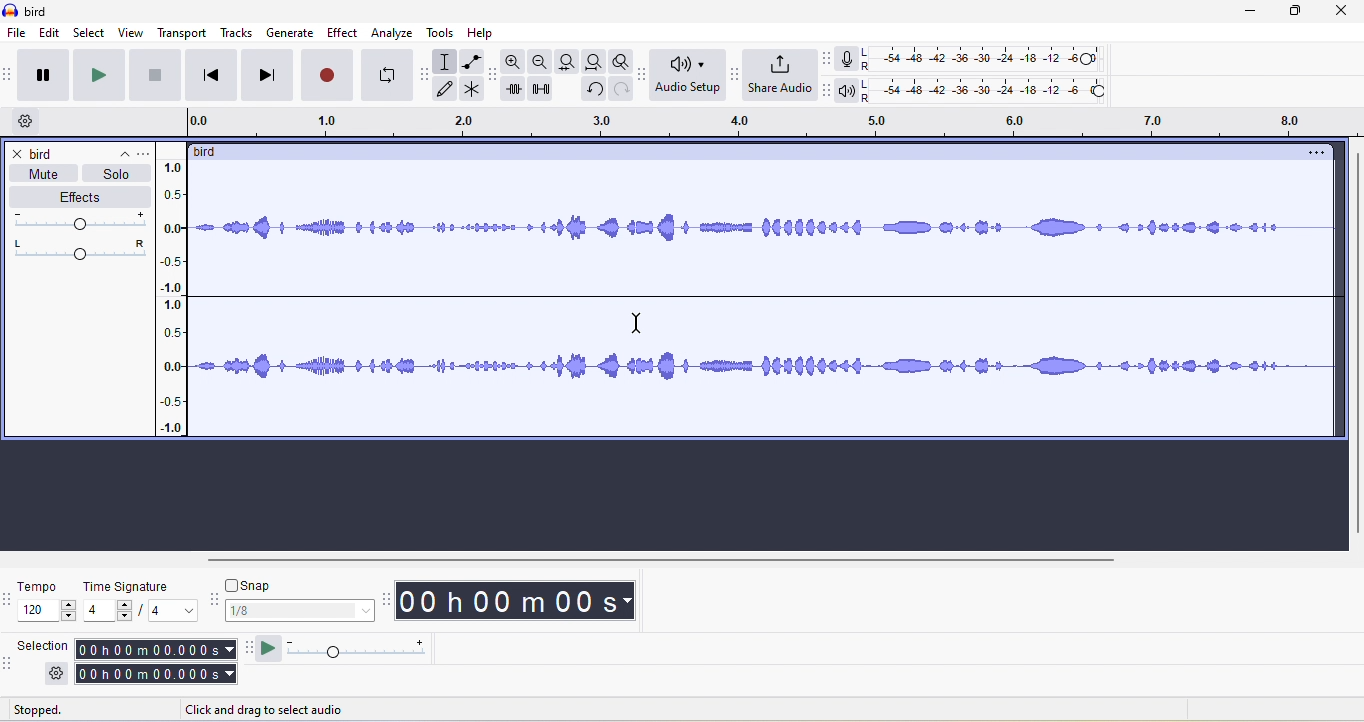 The height and width of the screenshot is (722, 1364). I want to click on audacity selection toolbar, so click(9, 662).